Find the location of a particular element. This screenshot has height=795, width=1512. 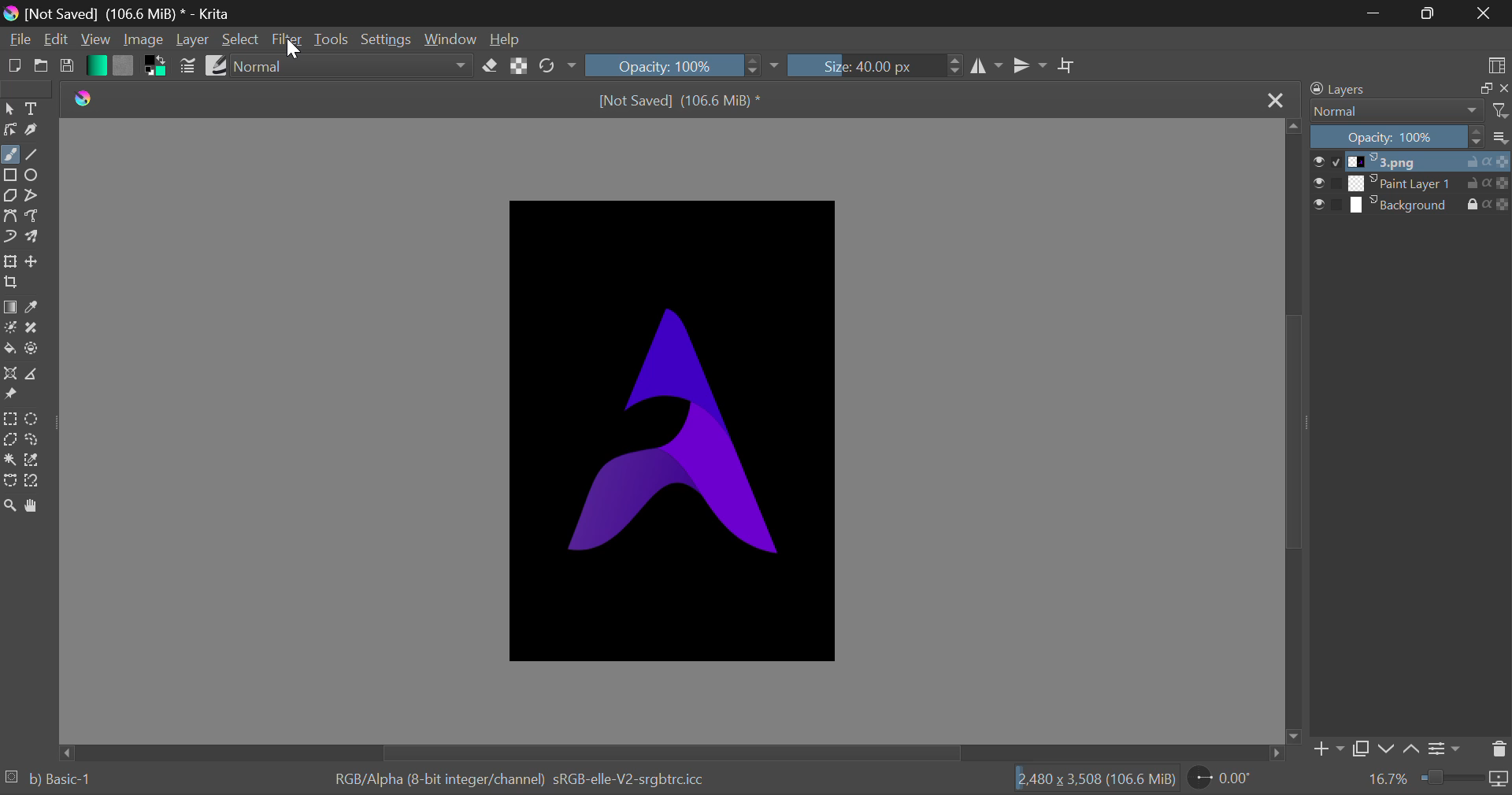

maximize is located at coordinates (1477, 87).